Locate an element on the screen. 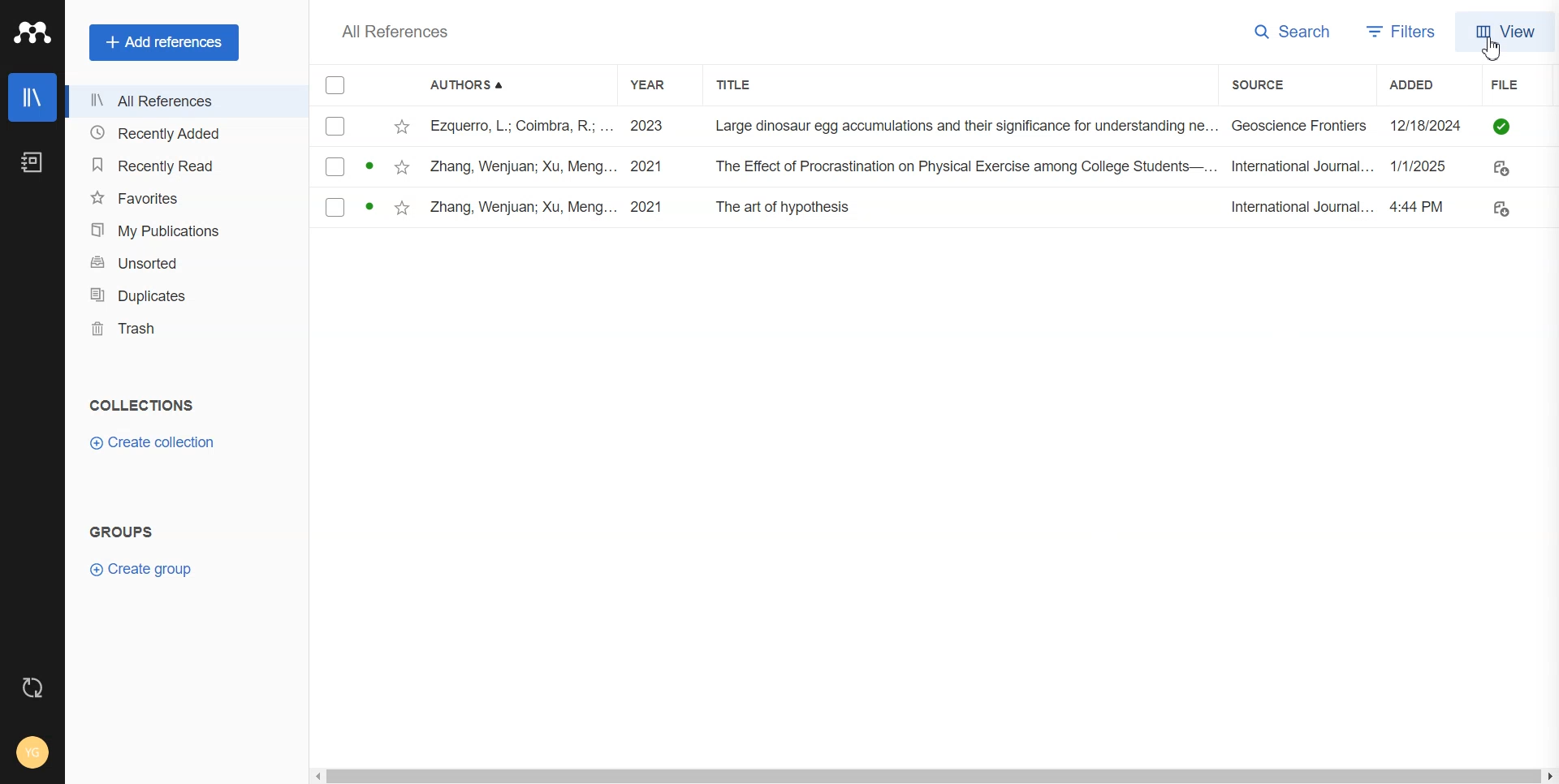 The height and width of the screenshot is (784, 1559). Search is located at coordinates (1295, 31).